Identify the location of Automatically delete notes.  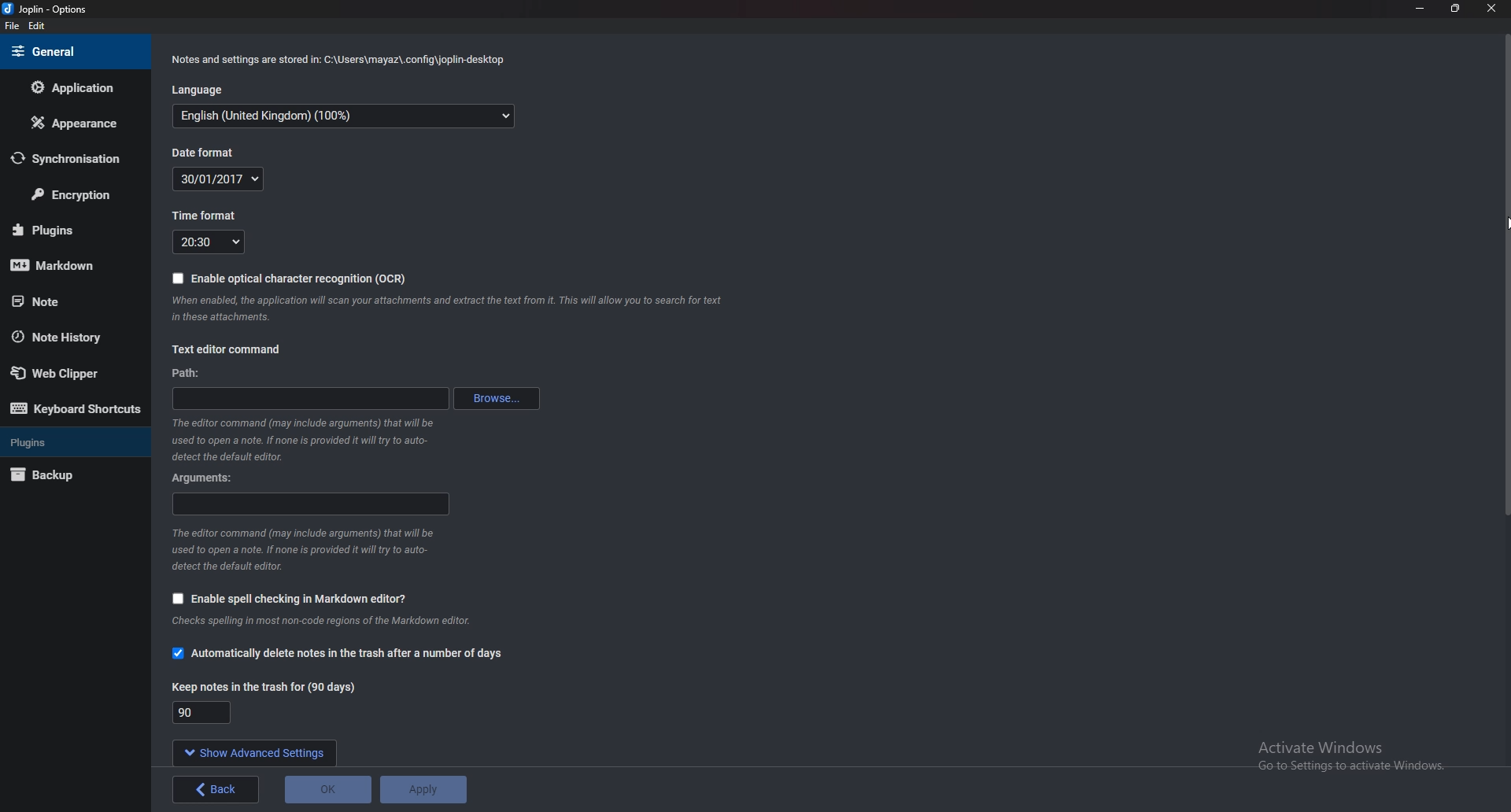
(339, 654).